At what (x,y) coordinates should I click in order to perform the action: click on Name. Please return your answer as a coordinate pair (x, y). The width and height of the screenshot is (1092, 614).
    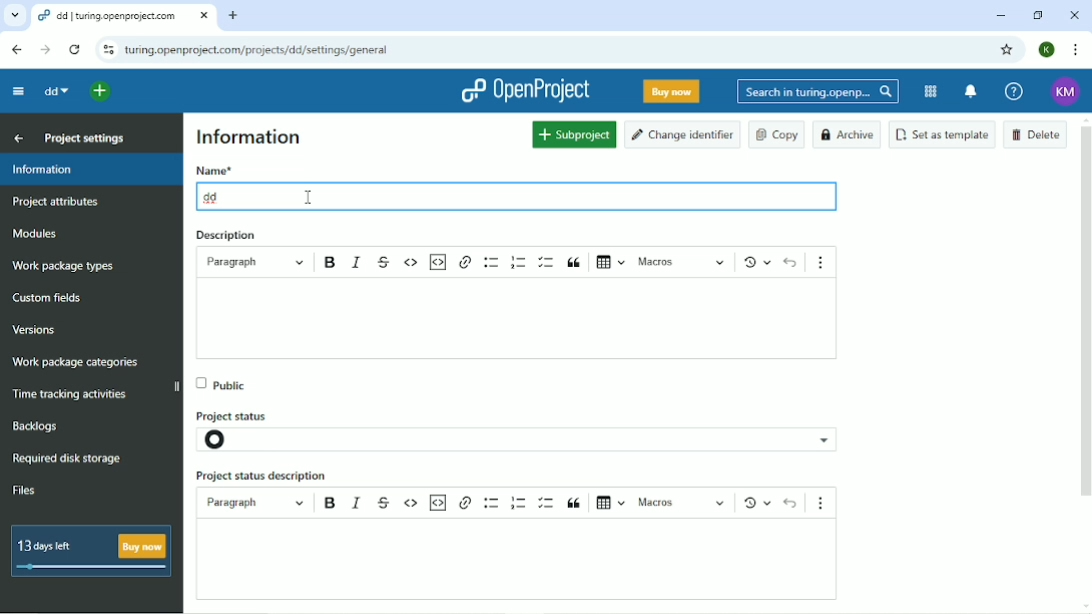
    Looking at the image, I should click on (214, 170).